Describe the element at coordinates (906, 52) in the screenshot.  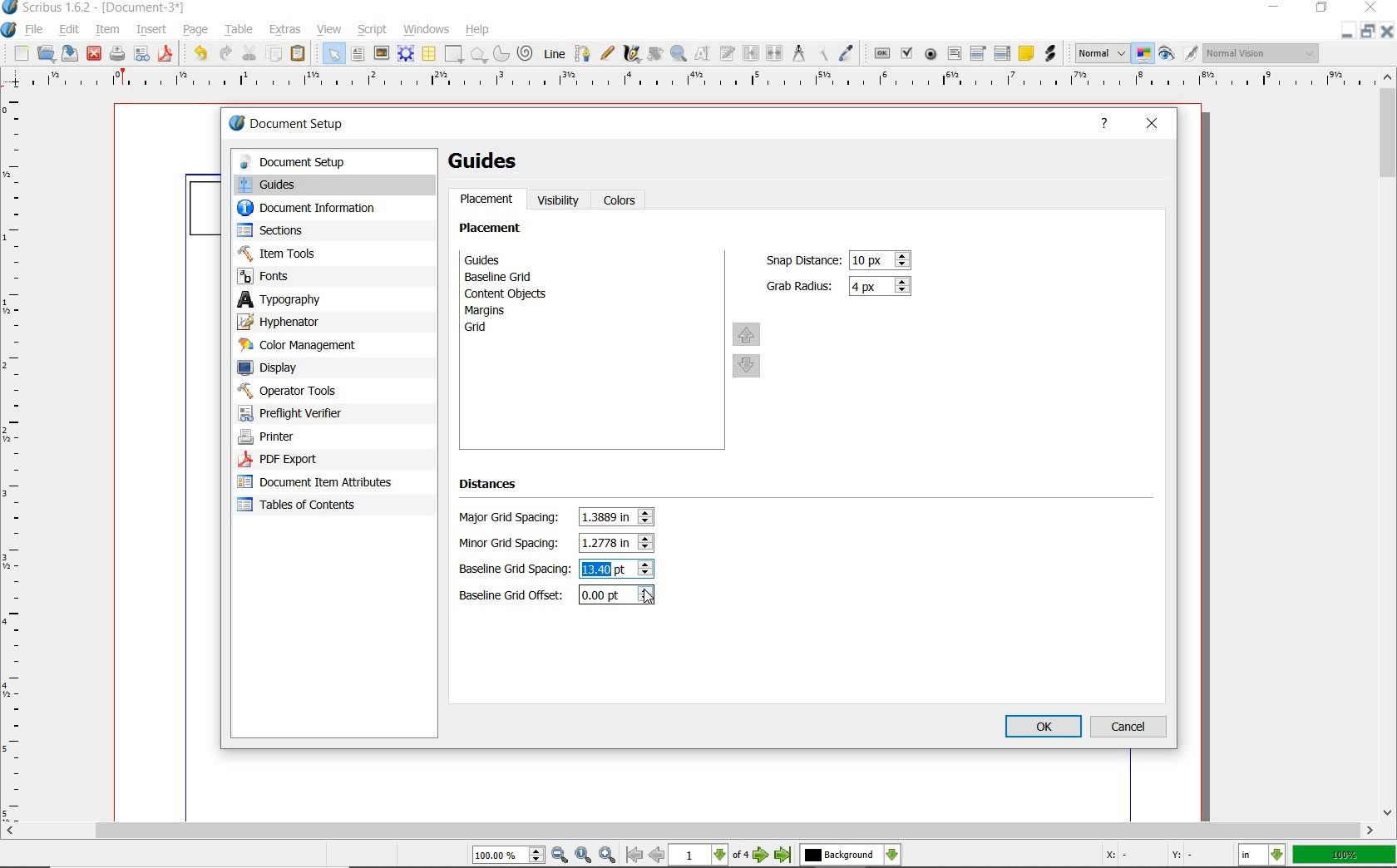
I see `pdf check box` at that location.